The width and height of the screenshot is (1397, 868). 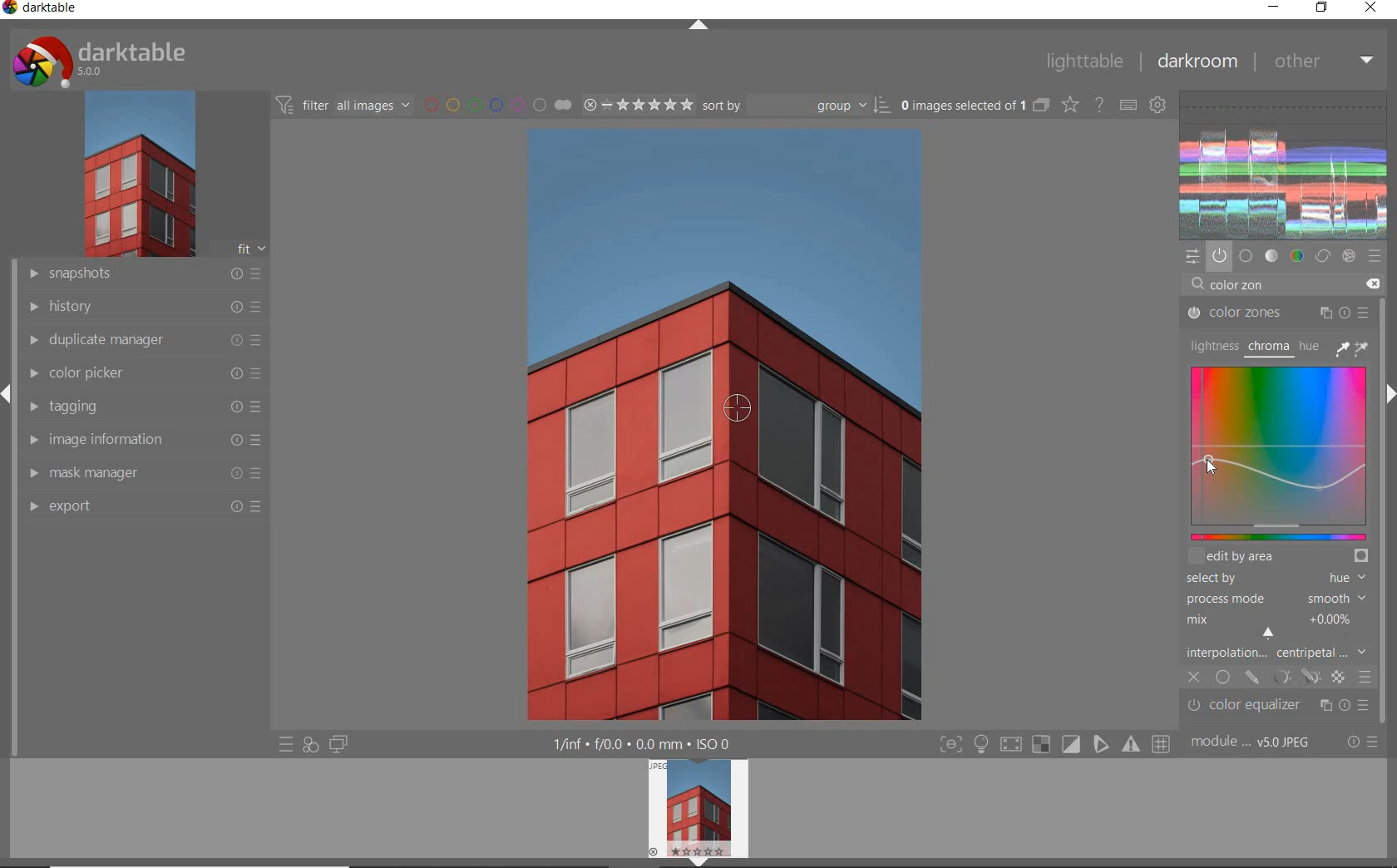 What do you see at coordinates (1212, 345) in the screenshot?
I see `LIGHTNESS` at bounding box center [1212, 345].